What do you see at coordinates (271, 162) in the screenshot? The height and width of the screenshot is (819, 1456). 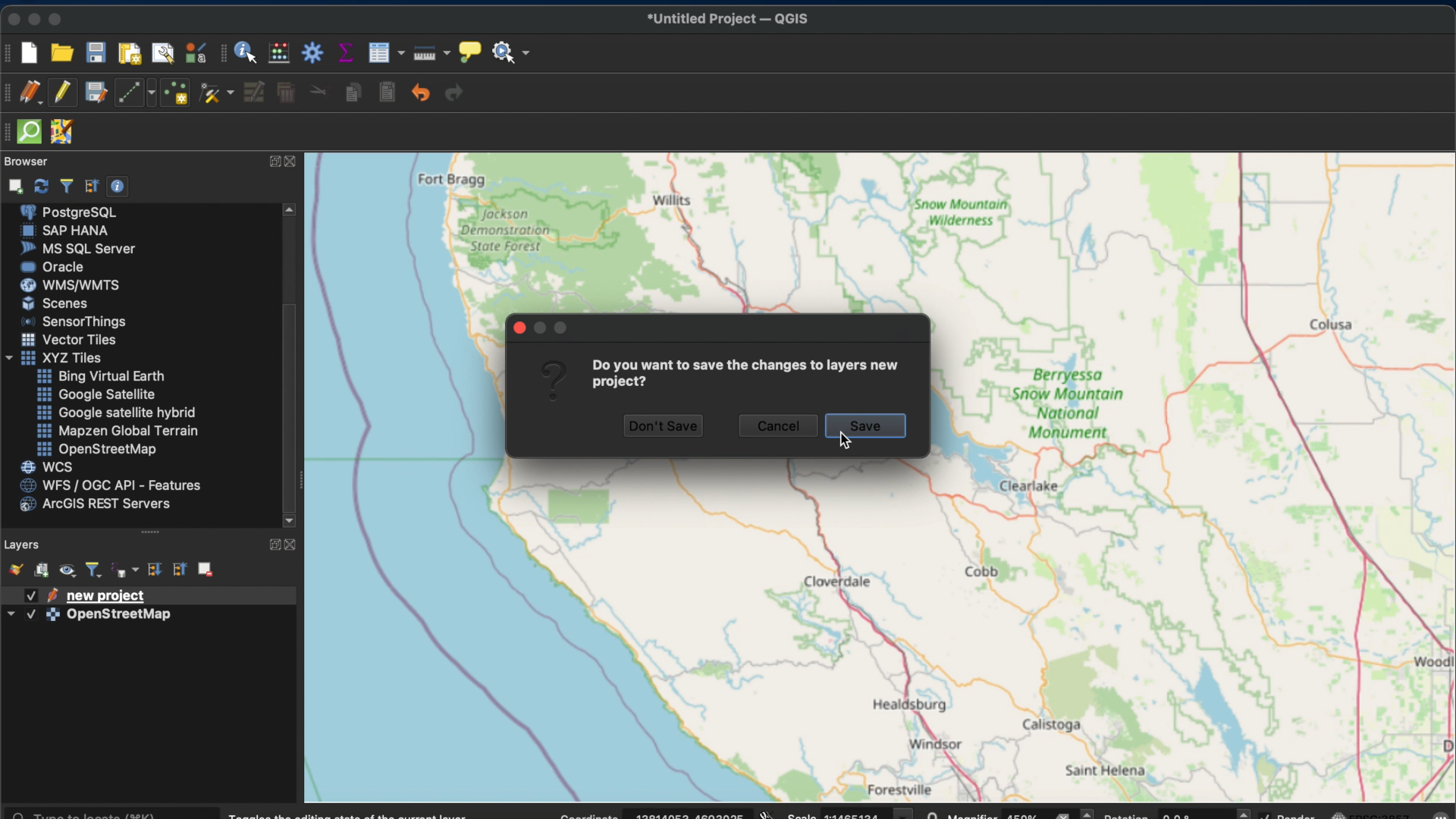 I see `expand` at bounding box center [271, 162].